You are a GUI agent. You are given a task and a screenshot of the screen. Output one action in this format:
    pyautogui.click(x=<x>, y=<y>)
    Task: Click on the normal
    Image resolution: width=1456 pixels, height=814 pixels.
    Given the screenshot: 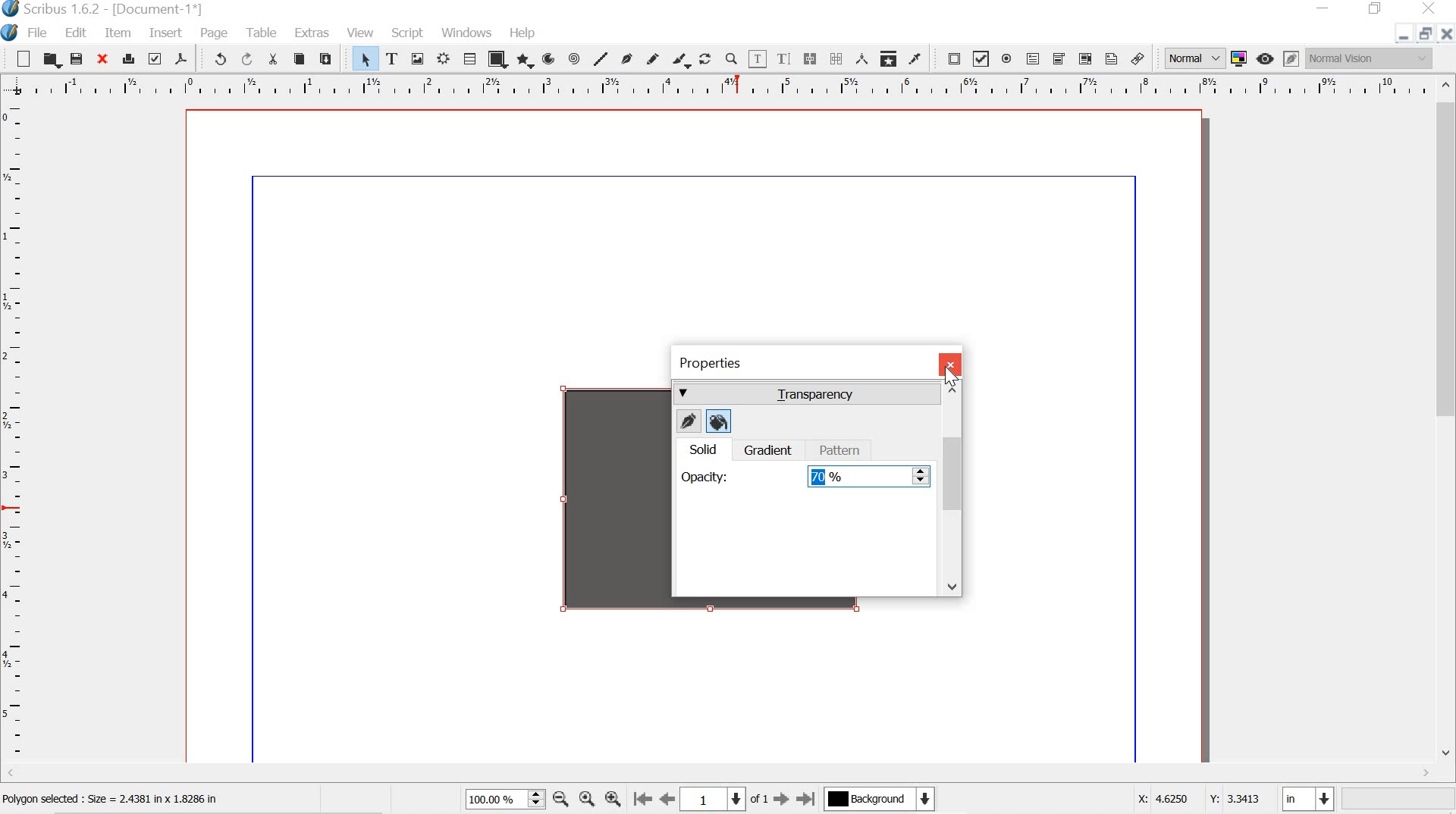 What is the action you would take?
    pyautogui.click(x=1195, y=58)
    